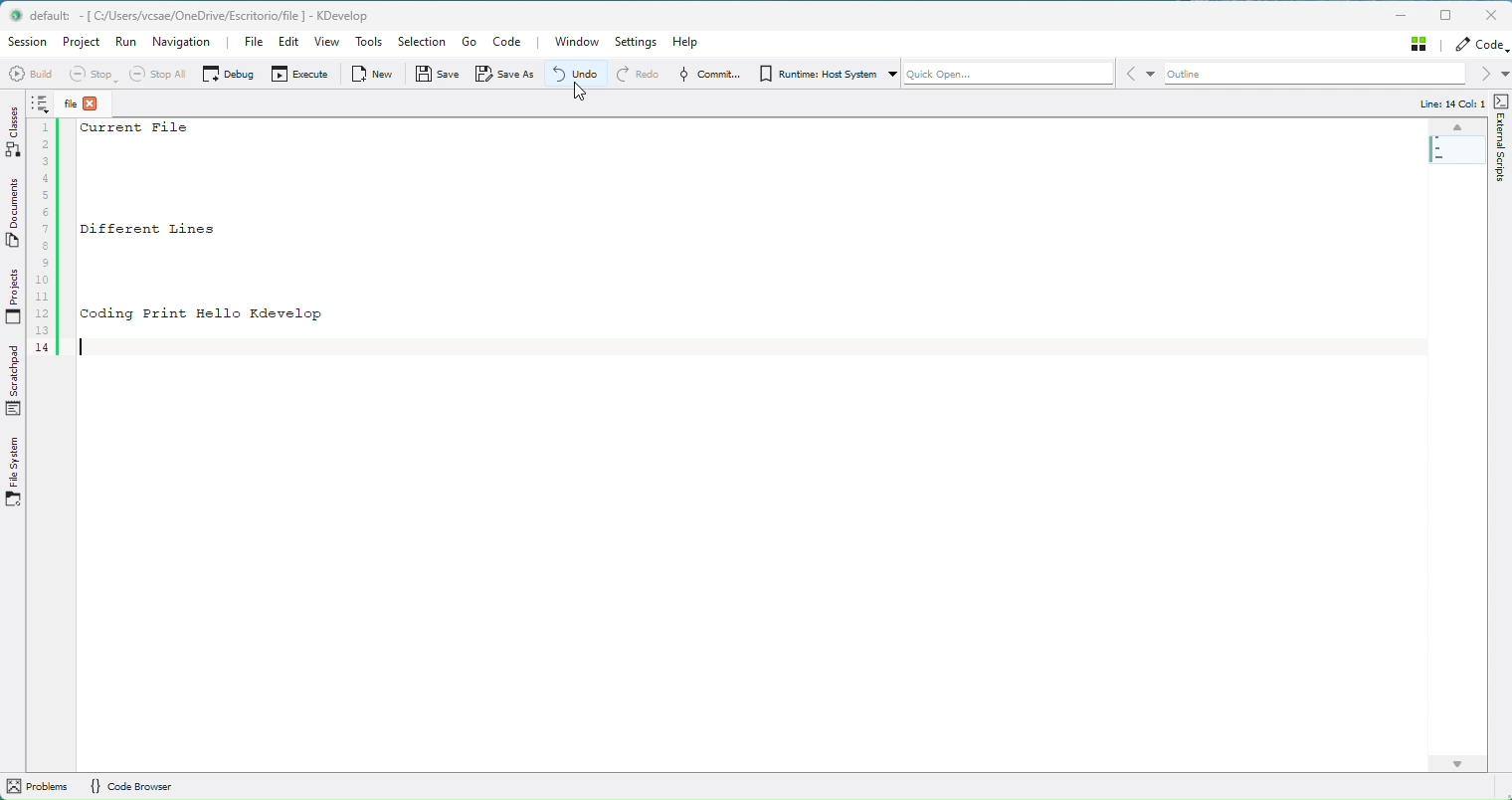  I want to click on Project, so click(85, 46).